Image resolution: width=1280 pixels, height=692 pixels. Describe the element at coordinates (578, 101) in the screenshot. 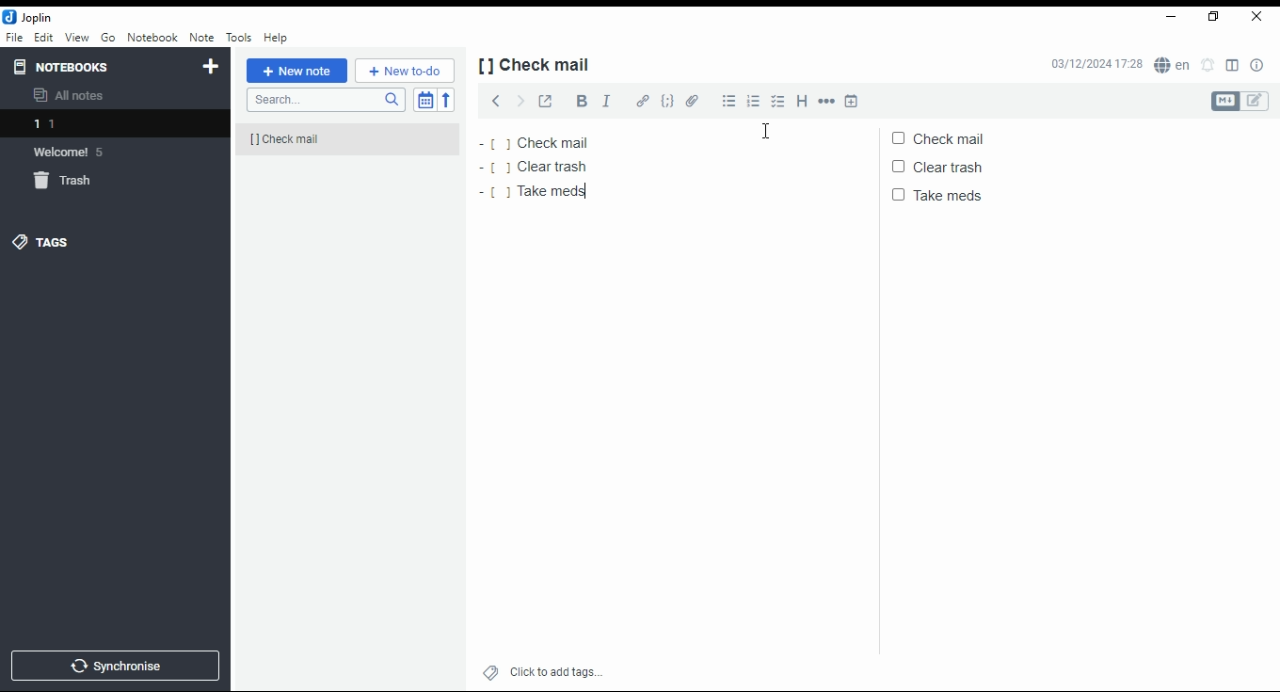

I see `bold` at that location.